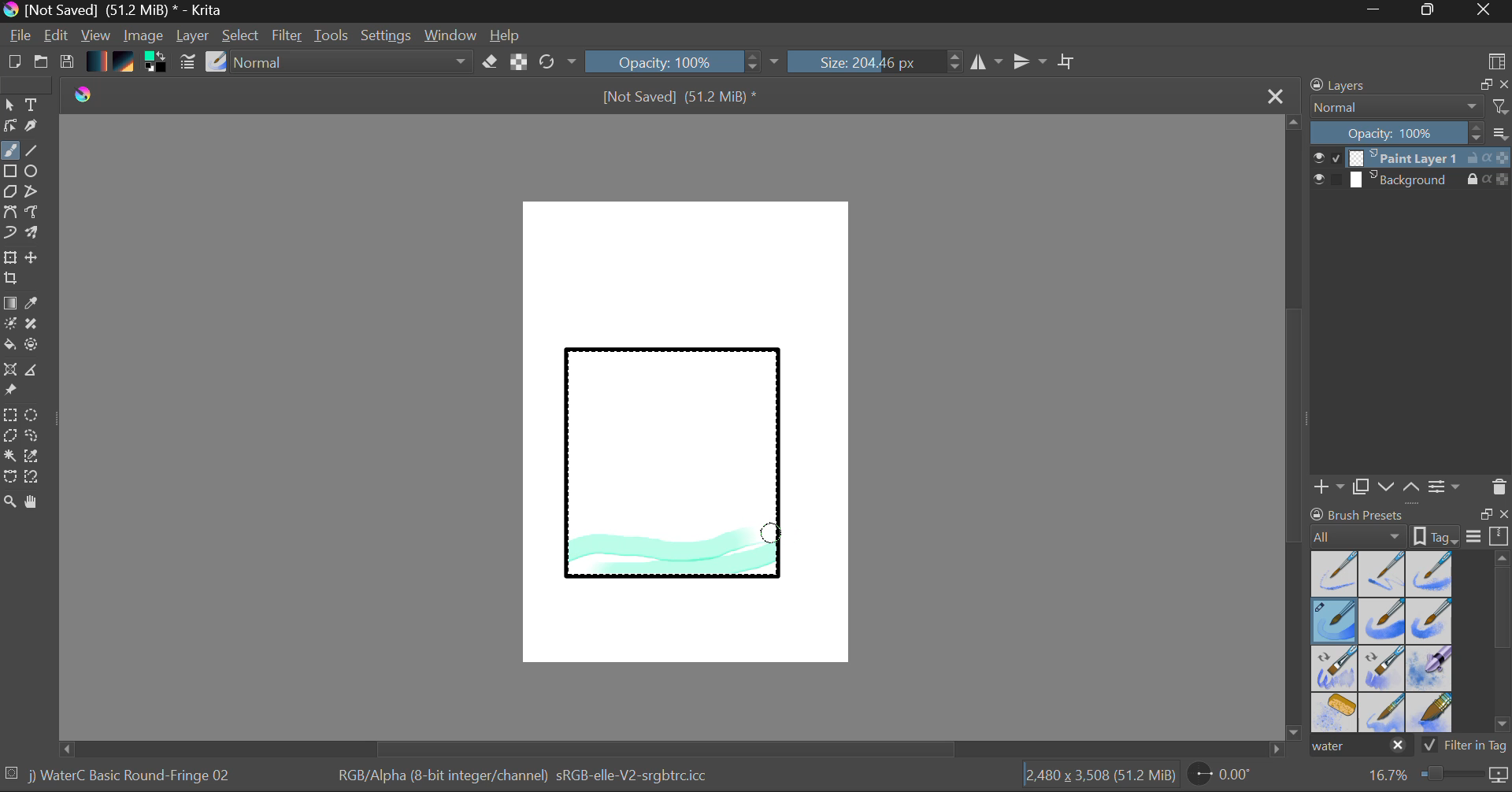 This screenshot has width=1512, height=792. What do you see at coordinates (32, 151) in the screenshot?
I see `Line` at bounding box center [32, 151].